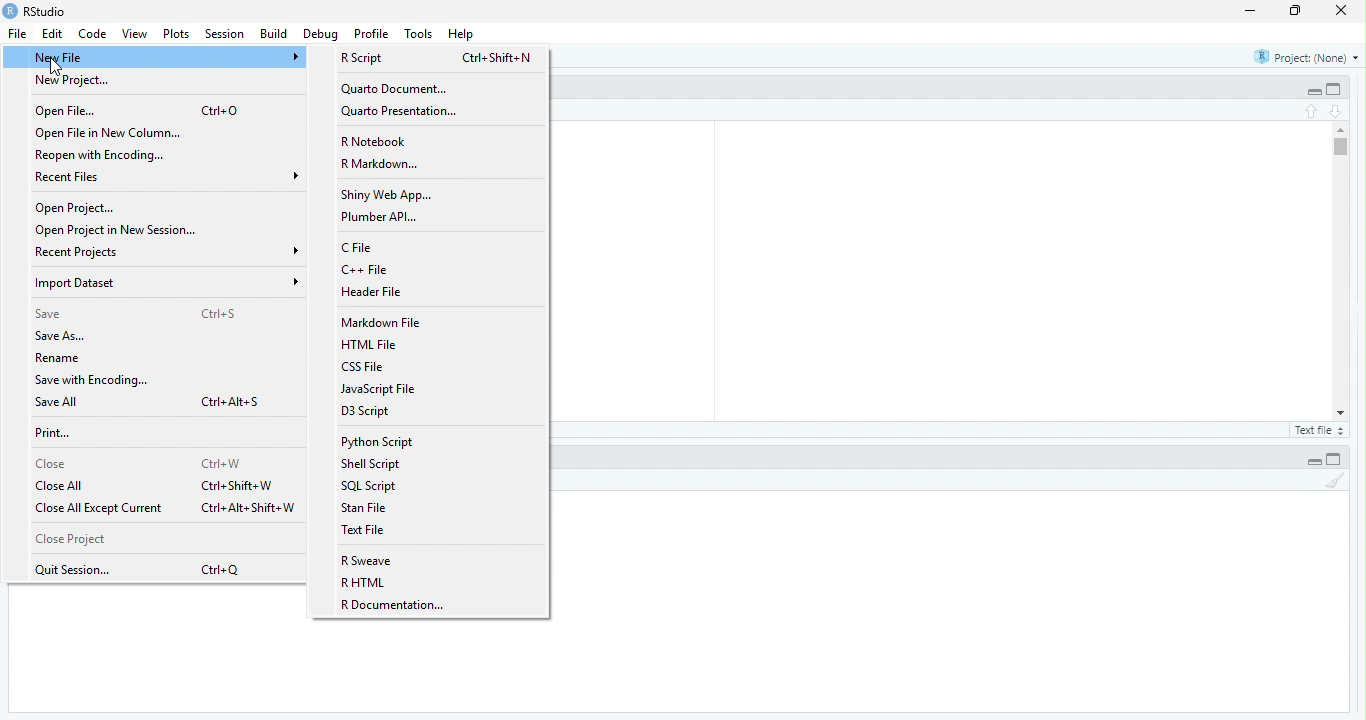 This screenshot has height=720, width=1366. I want to click on JavaScript File, so click(380, 389).